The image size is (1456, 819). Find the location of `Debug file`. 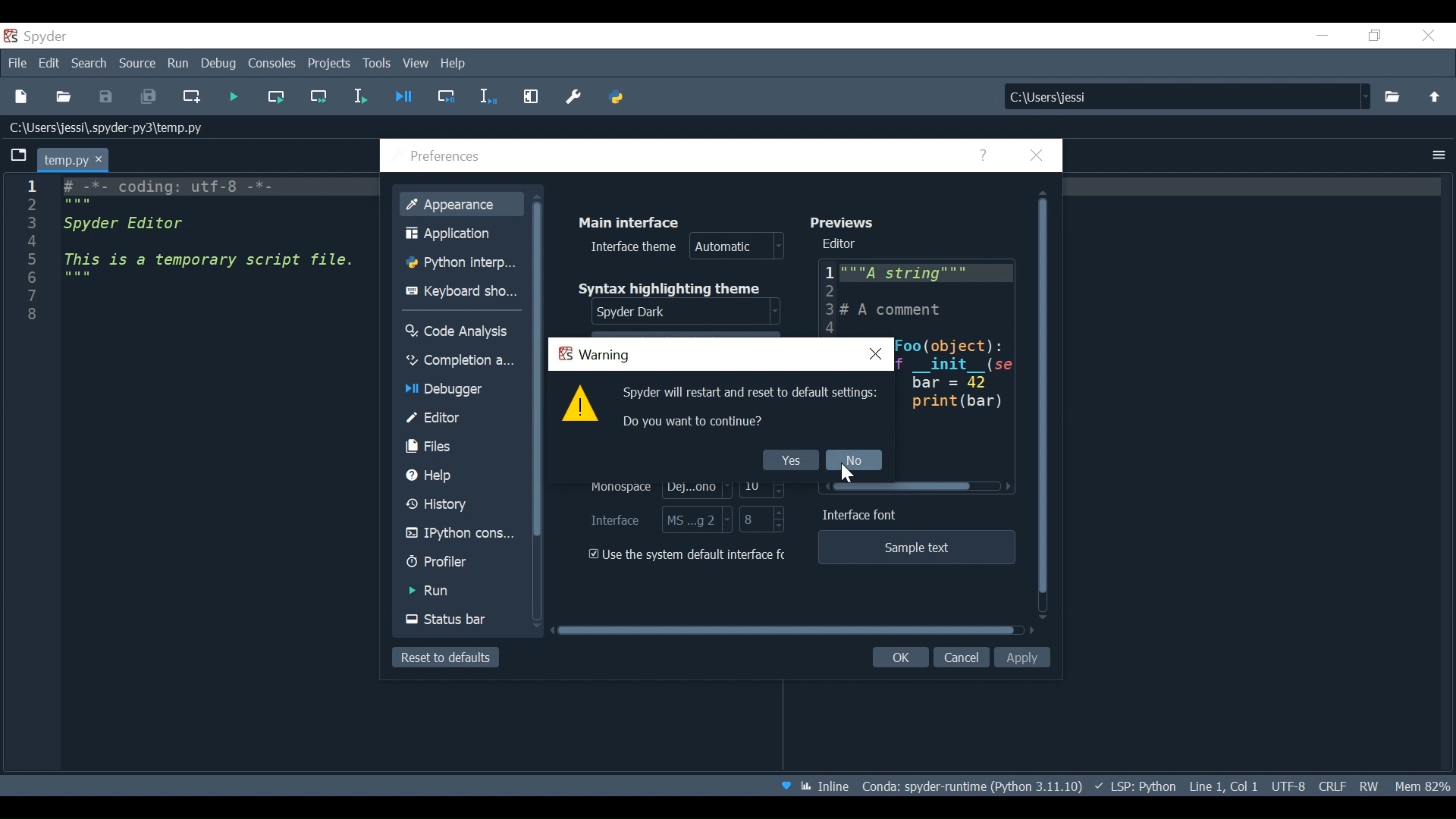

Debug file is located at coordinates (403, 98).